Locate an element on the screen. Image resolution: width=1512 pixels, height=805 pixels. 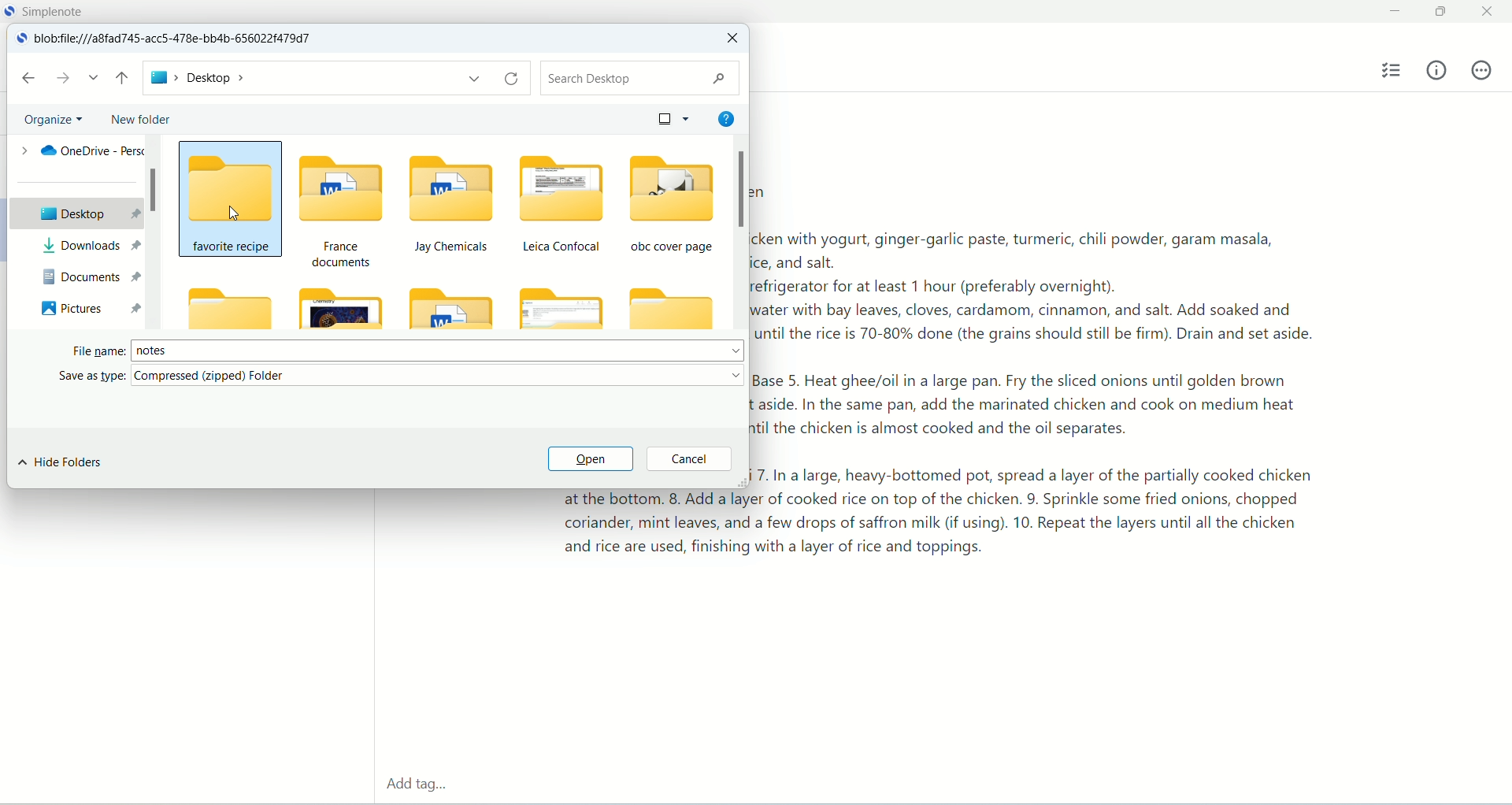
forward is located at coordinates (64, 77).